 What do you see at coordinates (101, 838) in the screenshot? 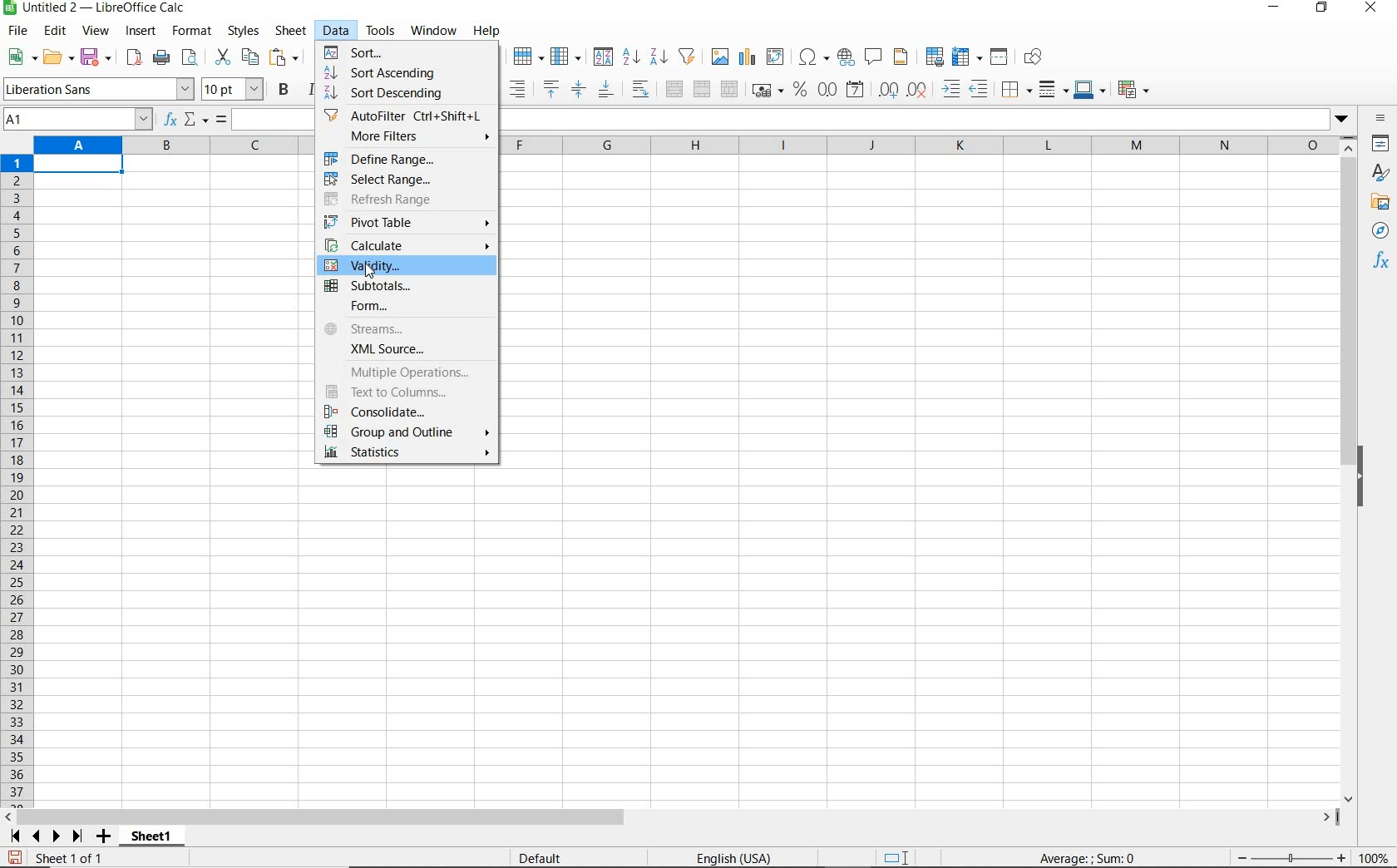
I see `add sheet` at bounding box center [101, 838].